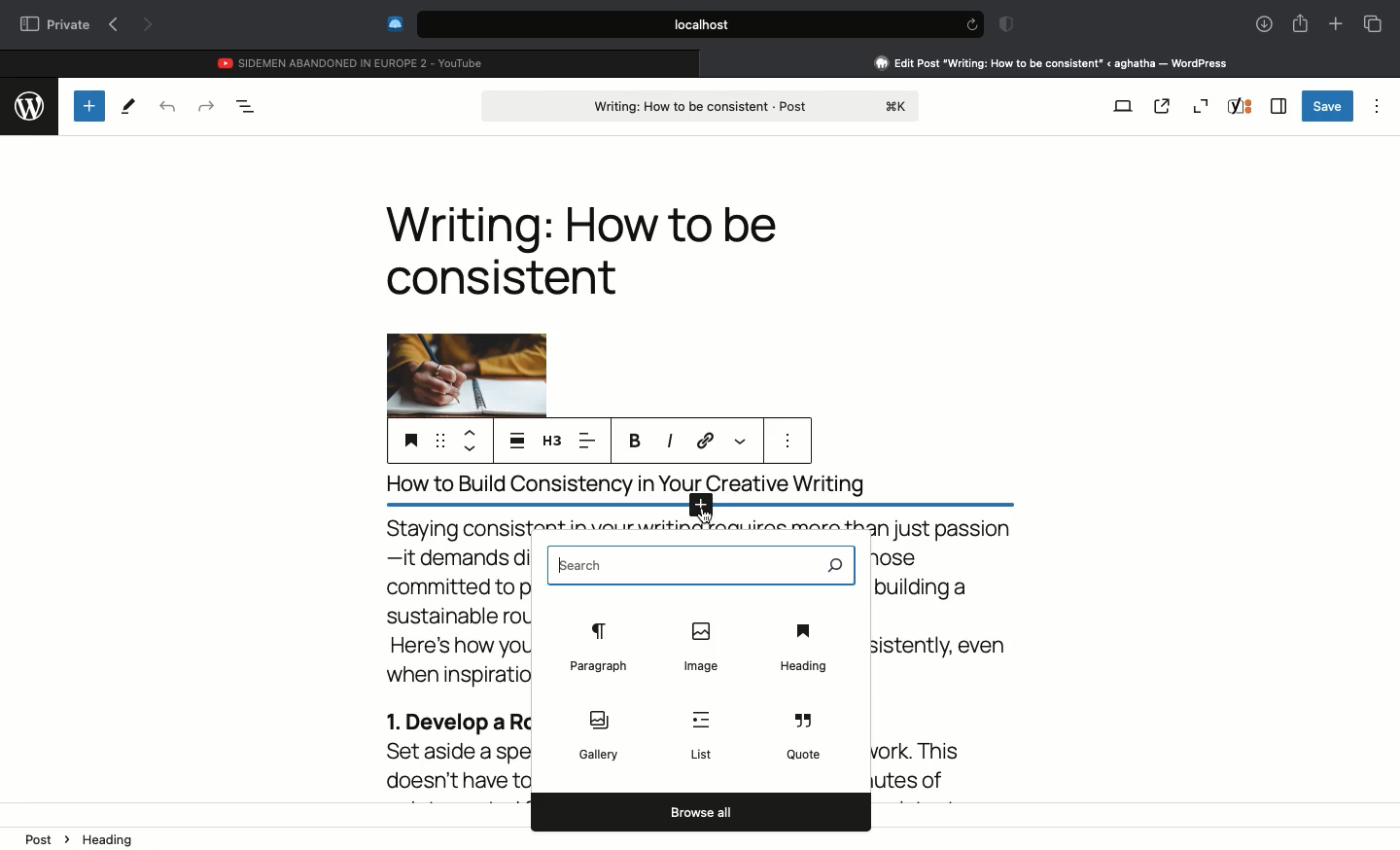 The height and width of the screenshot is (850, 1400). What do you see at coordinates (1052, 62) in the screenshot?
I see `Clicking on Wordpress tab` at bounding box center [1052, 62].